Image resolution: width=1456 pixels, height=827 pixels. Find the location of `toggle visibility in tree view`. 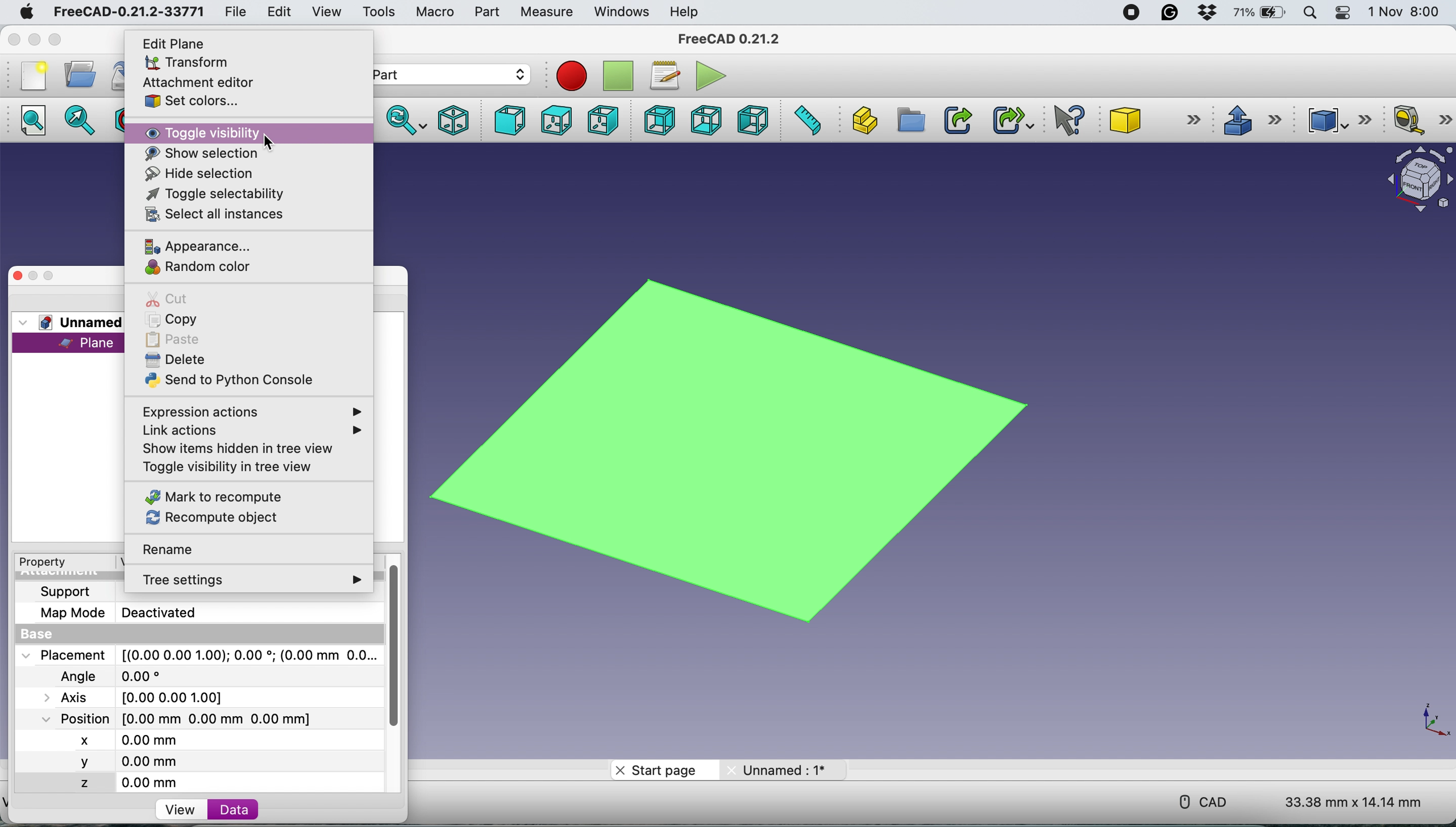

toggle visibility in tree view is located at coordinates (230, 468).